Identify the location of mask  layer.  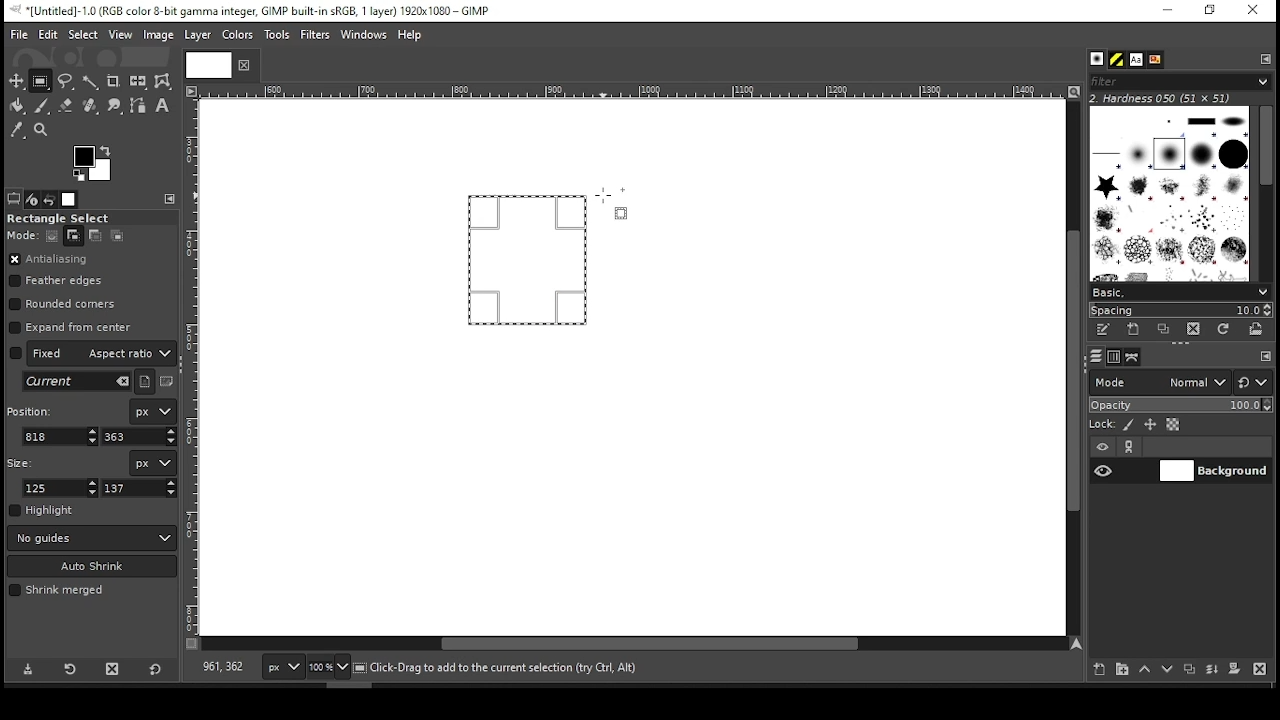
(1234, 670).